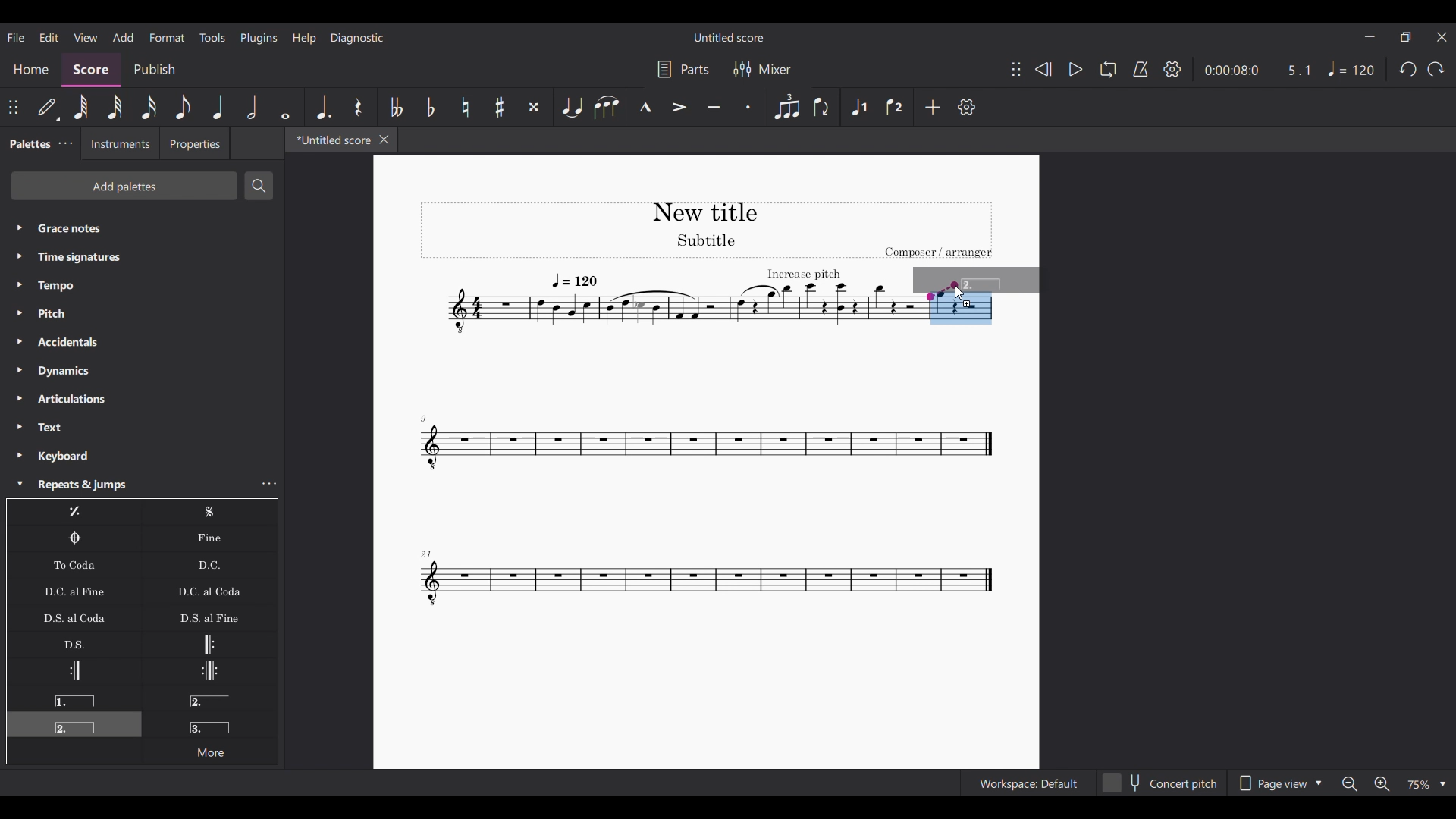 This screenshot has width=1456, height=819. What do you see at coordinates (1028, 783) in the screenshot?
I see `Workspace: Default` at bounding box center [1028, 783].